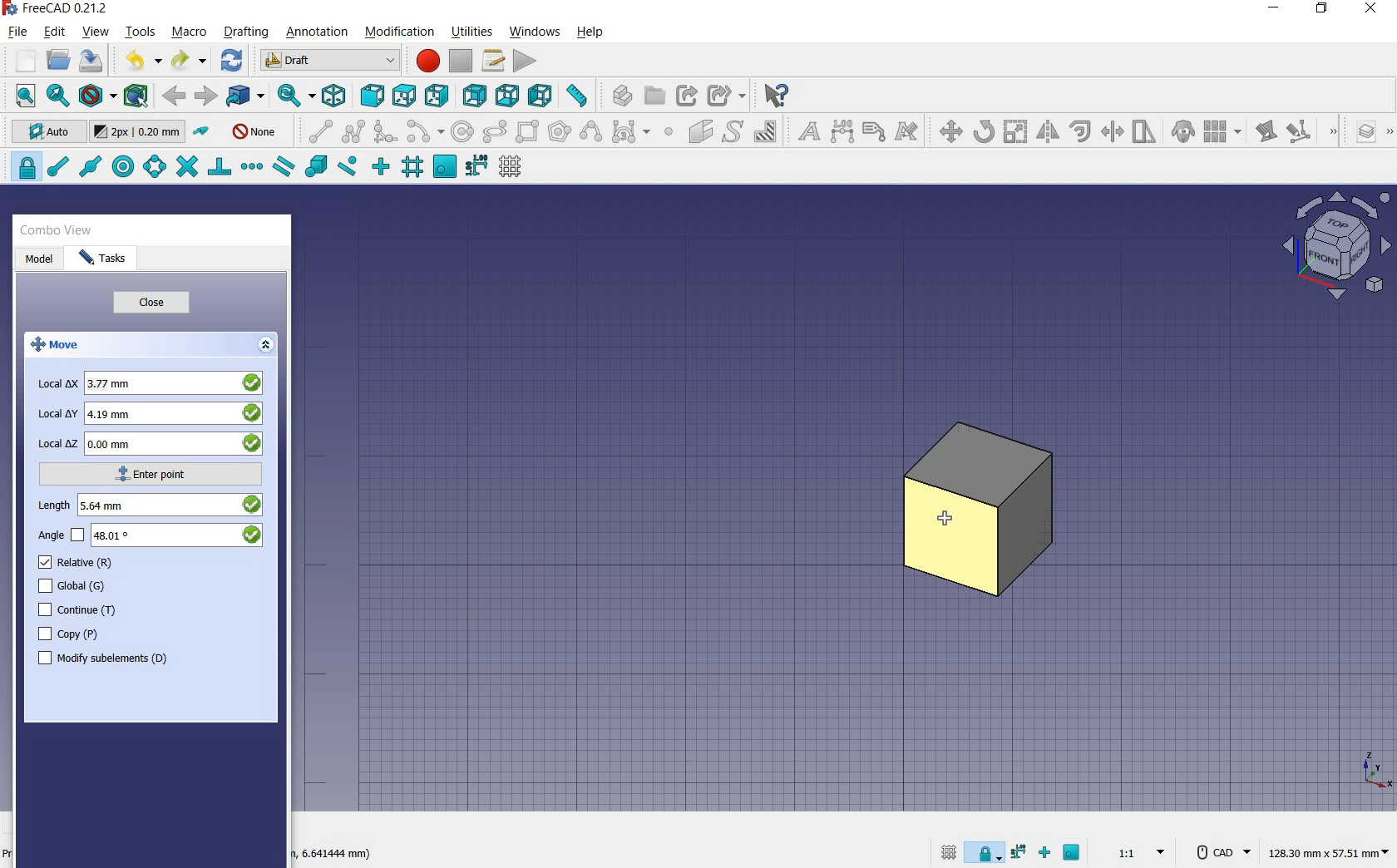  I want to click on relative, so click(77, 562).